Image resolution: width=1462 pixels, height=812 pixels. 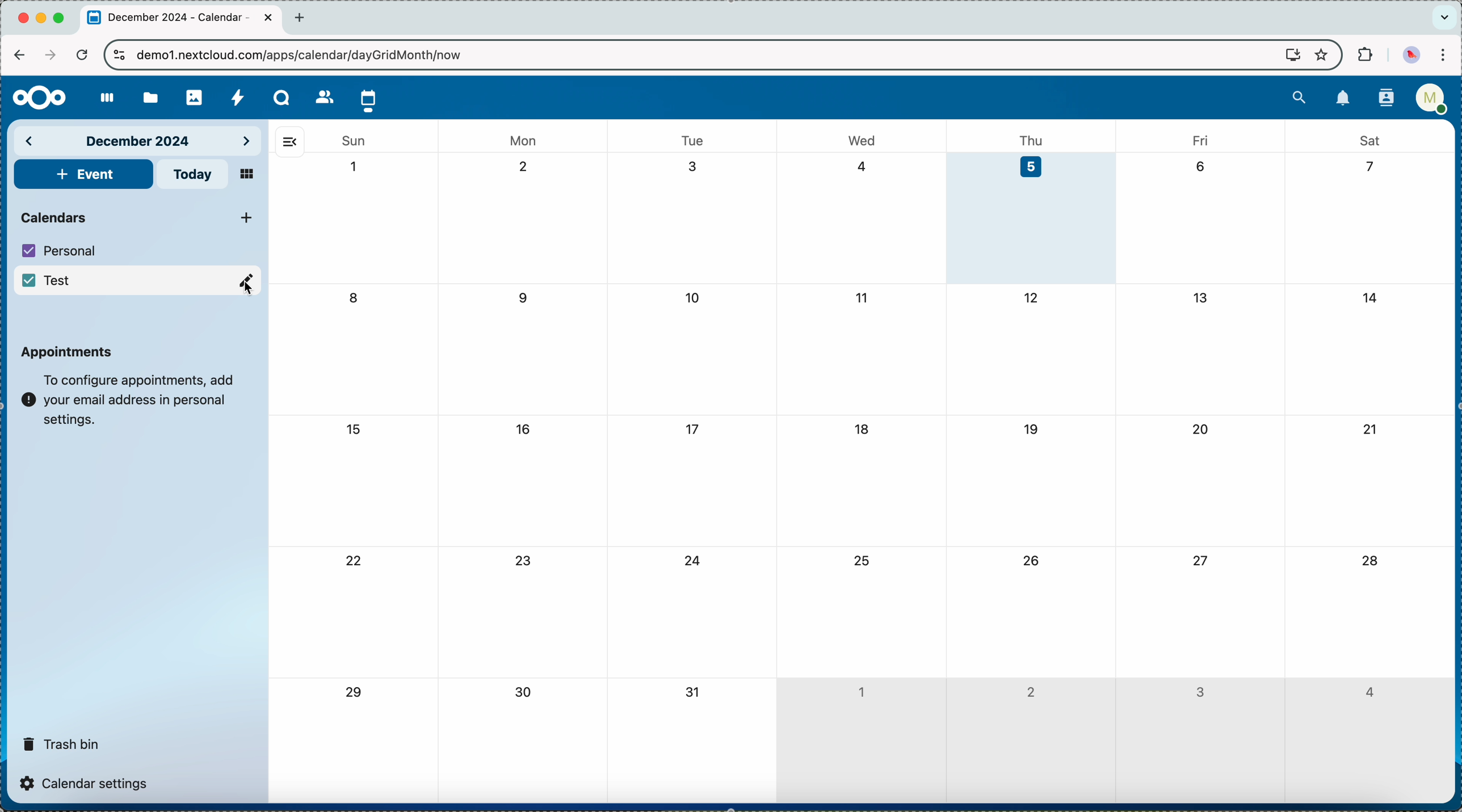 I want to click on 21, so click(x=1369, y=429).